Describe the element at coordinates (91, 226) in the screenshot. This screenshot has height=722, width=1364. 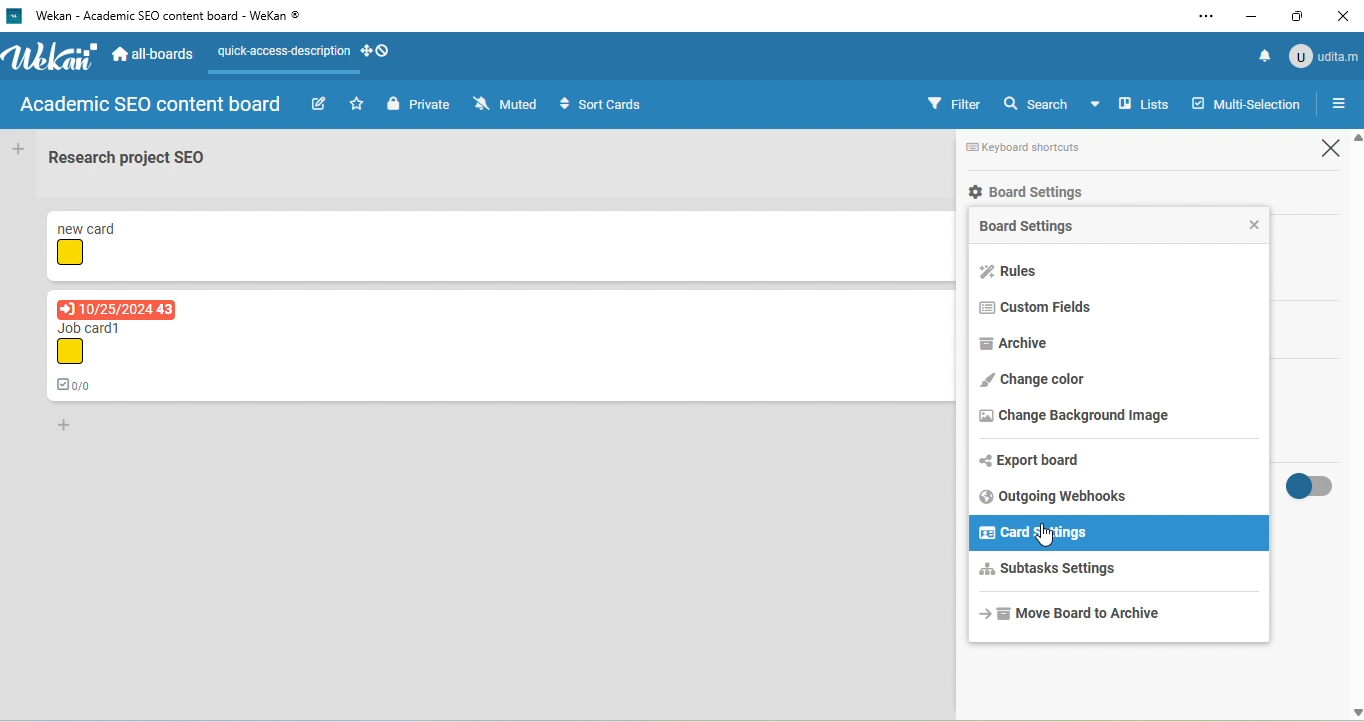
I see `new card` at that location.